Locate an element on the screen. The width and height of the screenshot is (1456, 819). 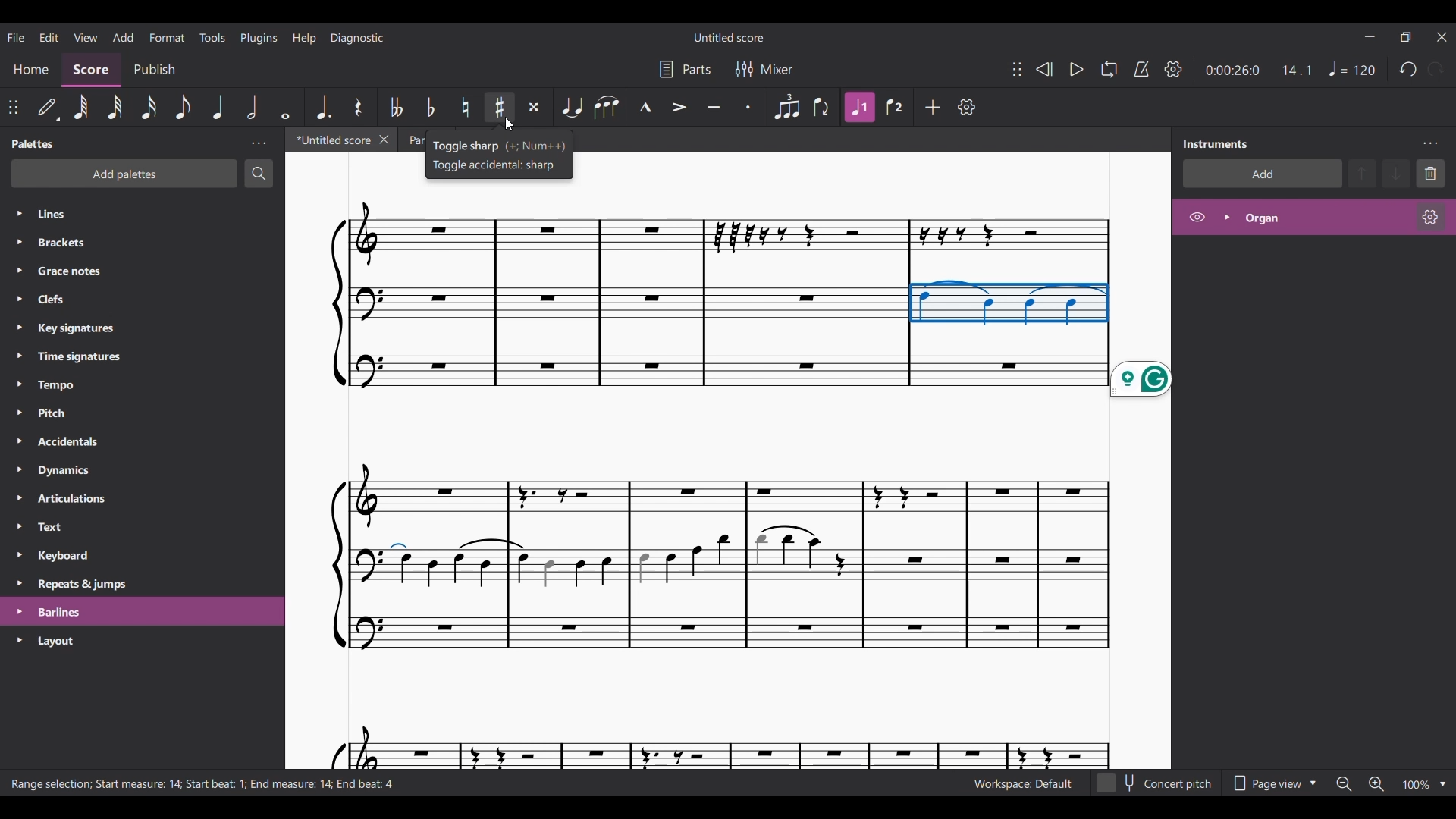
Highlighted as last selection is located at coordinates (143, 611).